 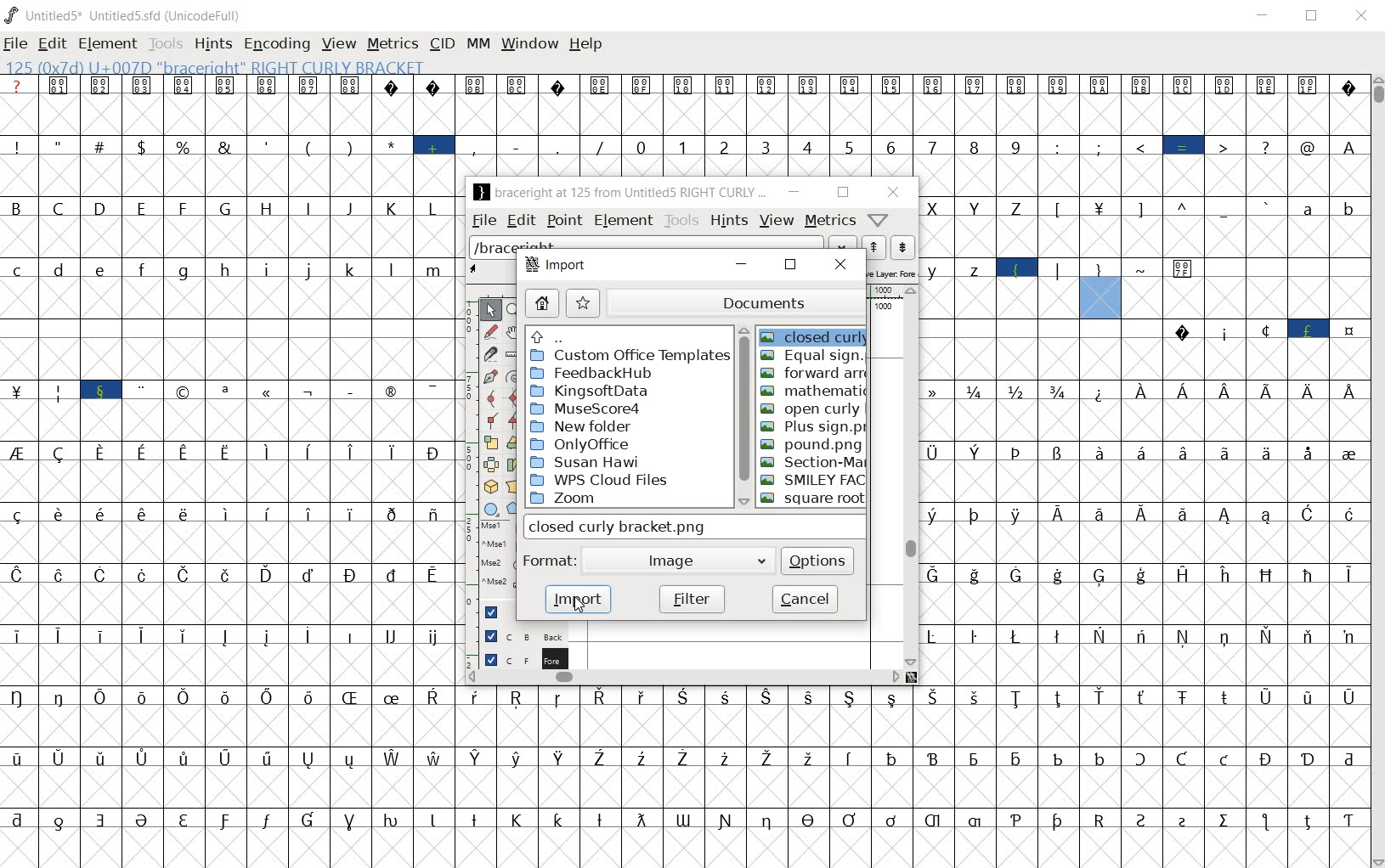 I want to click on edit, so click(x=522, y=221).